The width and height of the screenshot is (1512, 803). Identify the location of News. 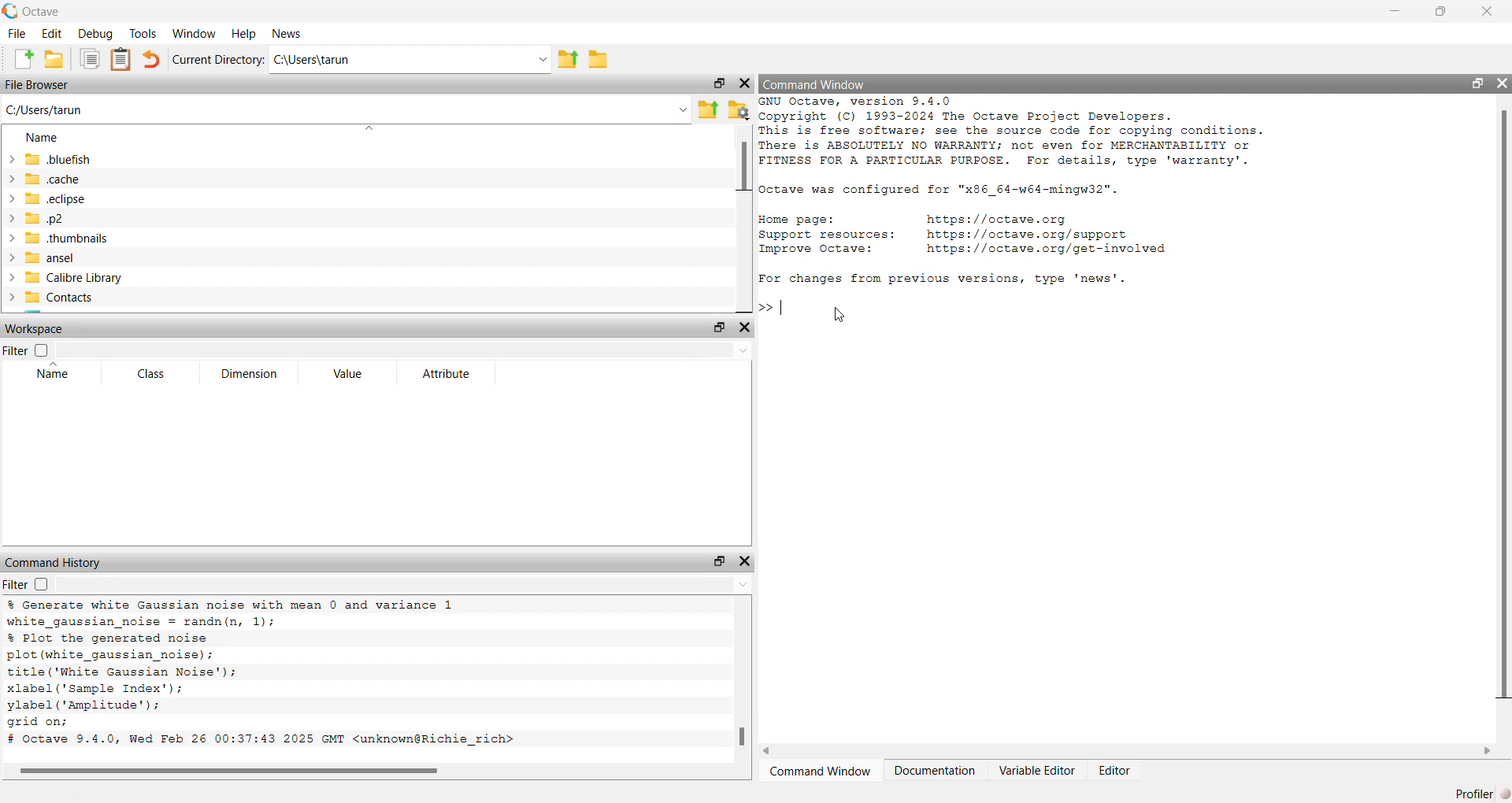
(291, 33).